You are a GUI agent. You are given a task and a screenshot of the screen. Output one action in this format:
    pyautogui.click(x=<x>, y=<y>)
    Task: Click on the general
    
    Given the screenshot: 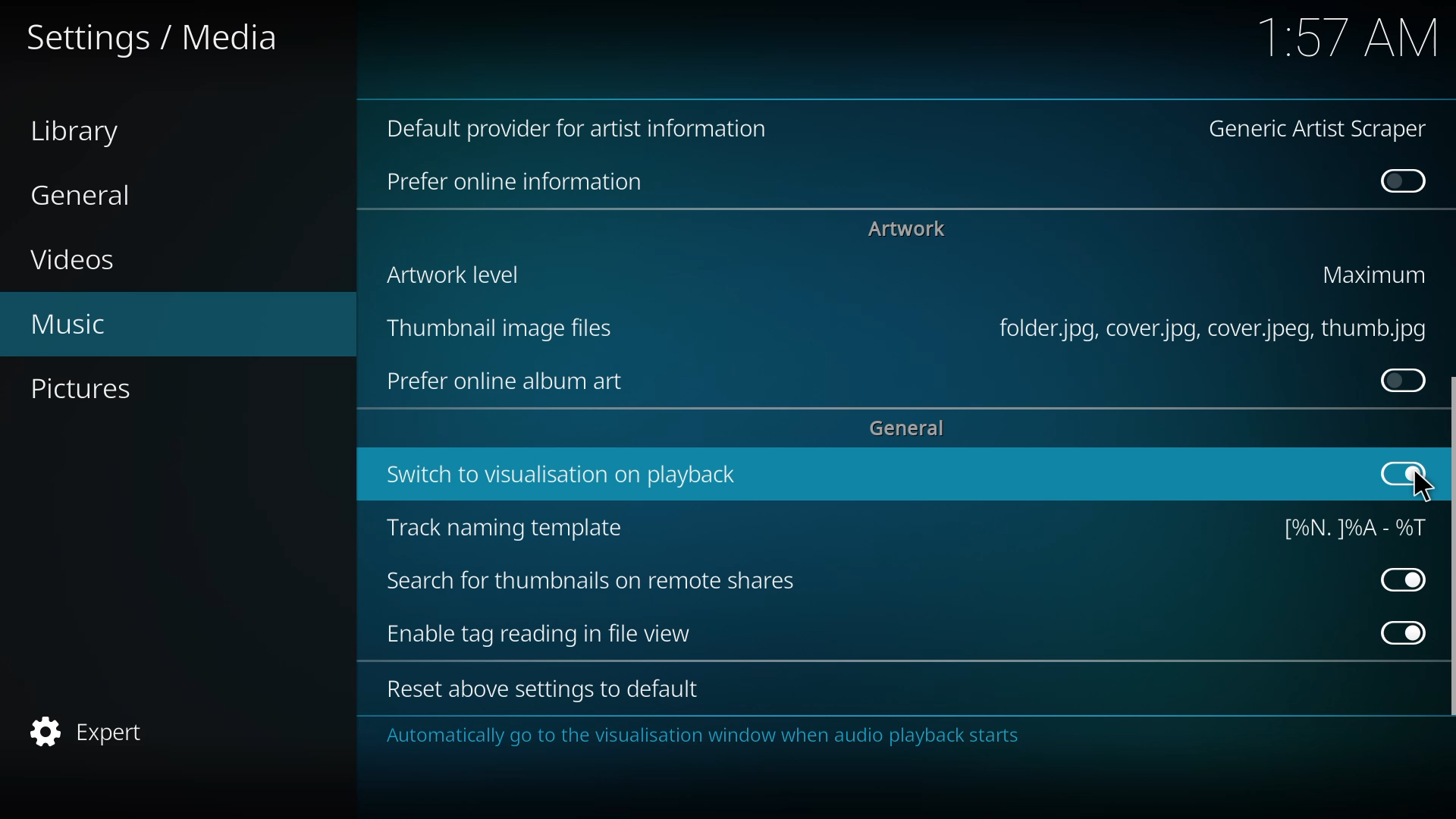 What is the action you would take?
    pyautogui.click(x=906, y=429)
    